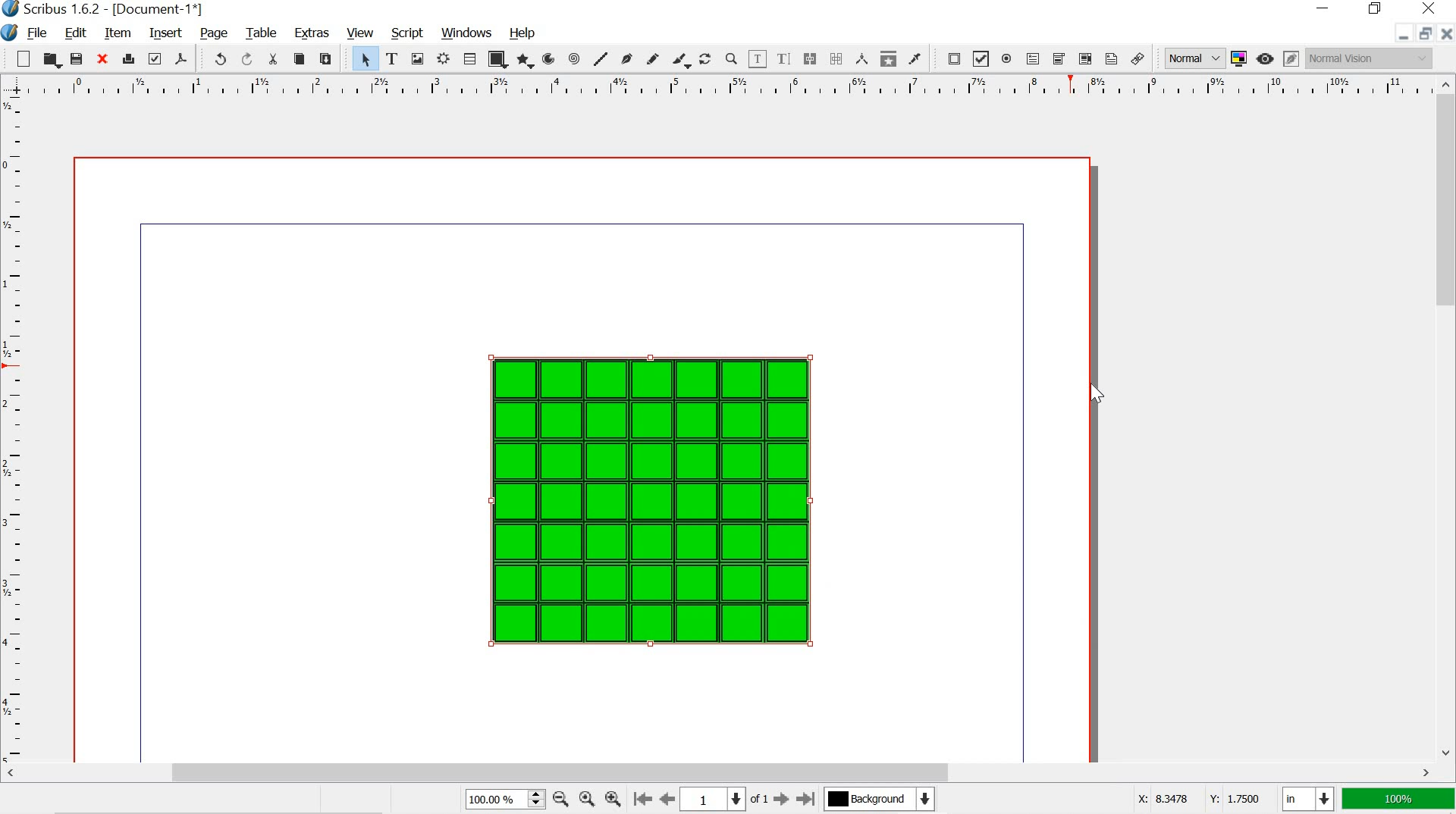 The width and height of the screenshot is (1456, 814). What do you see at coordinates (783, 58) in the screenshot?
I see `edit text with story editor` at bounding box center [783, 58].